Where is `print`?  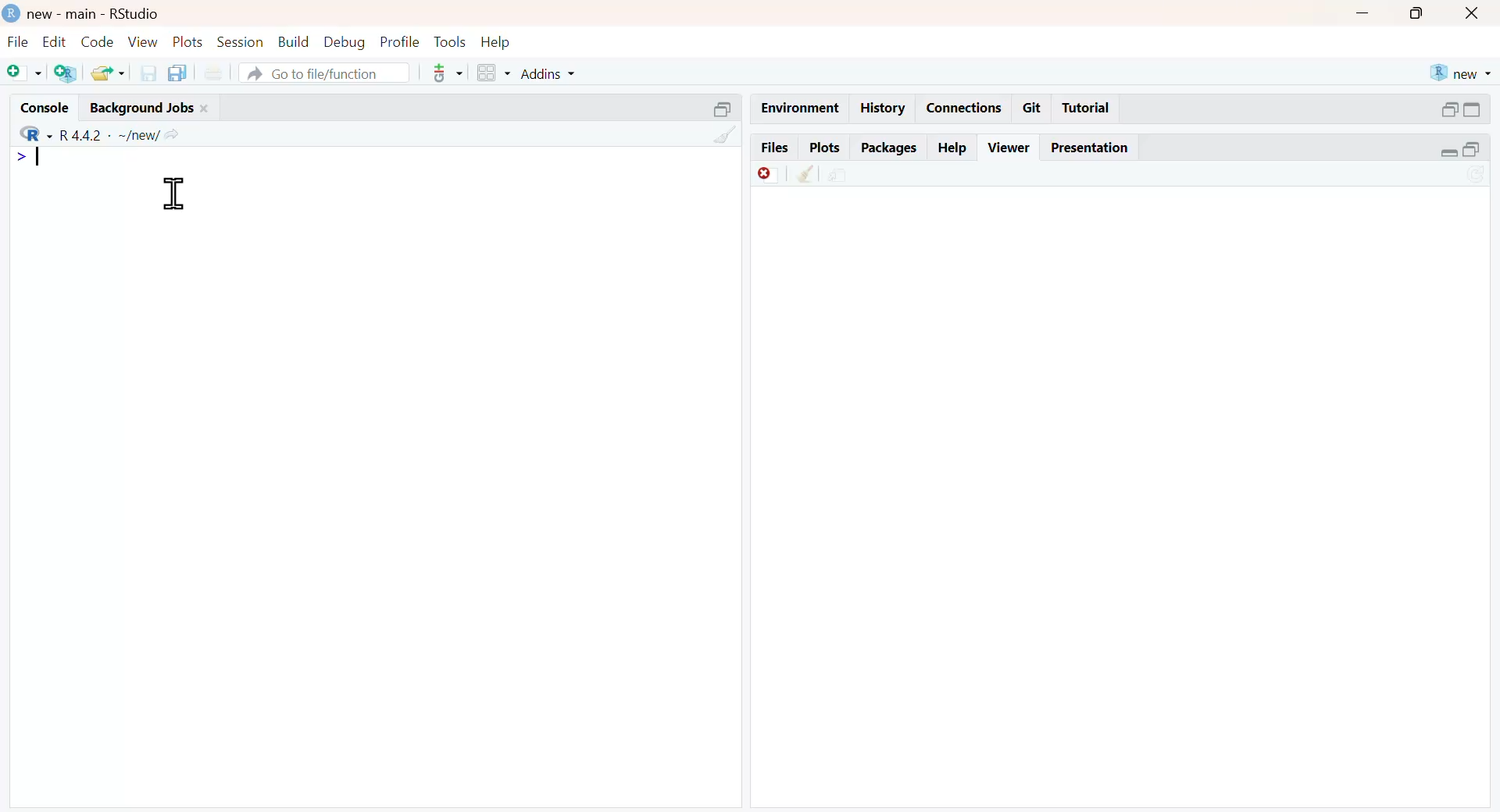
print is located at coordinates (214, 72).